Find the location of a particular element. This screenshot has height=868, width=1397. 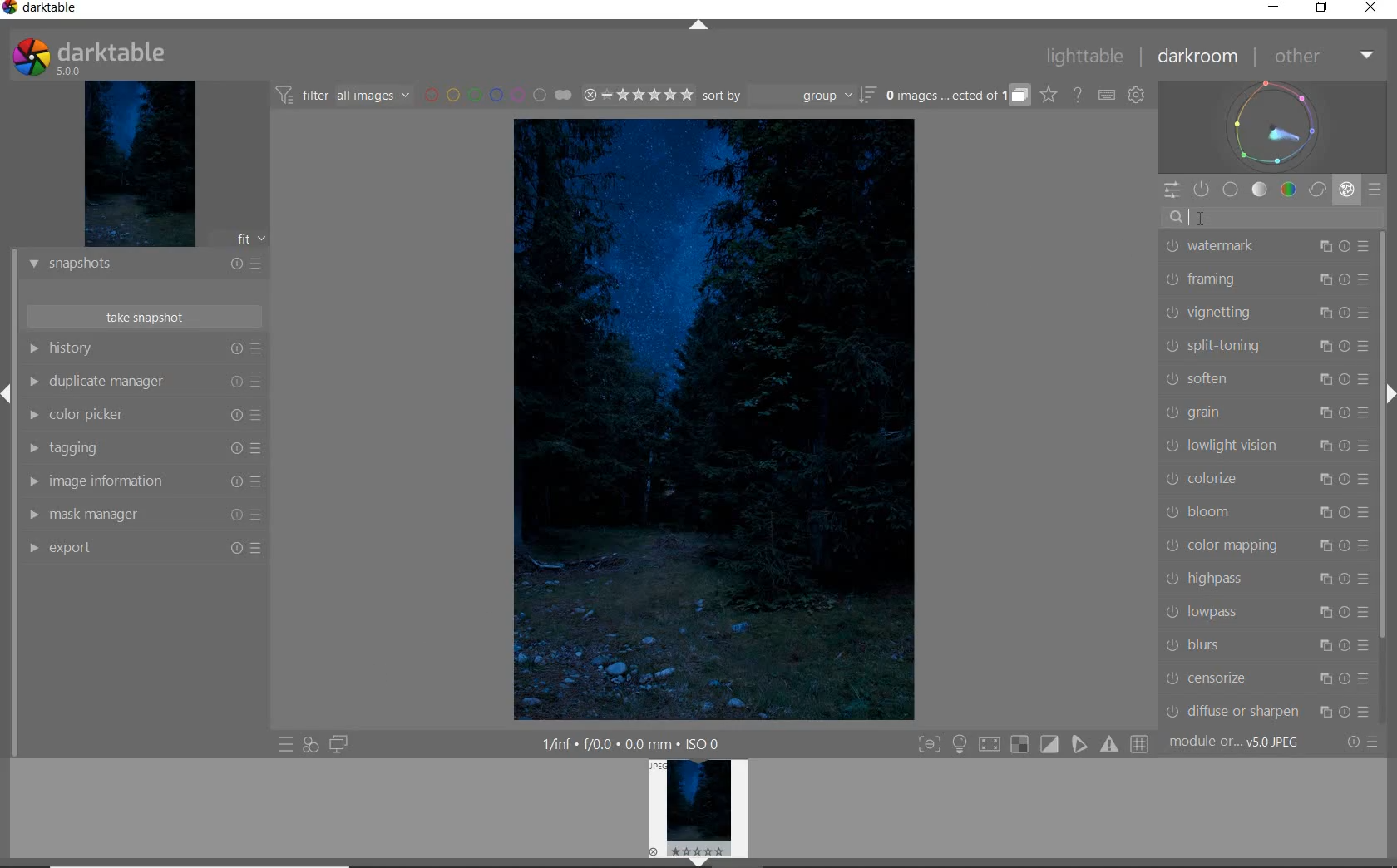

BLURS is located at coordinates (1265, 645).